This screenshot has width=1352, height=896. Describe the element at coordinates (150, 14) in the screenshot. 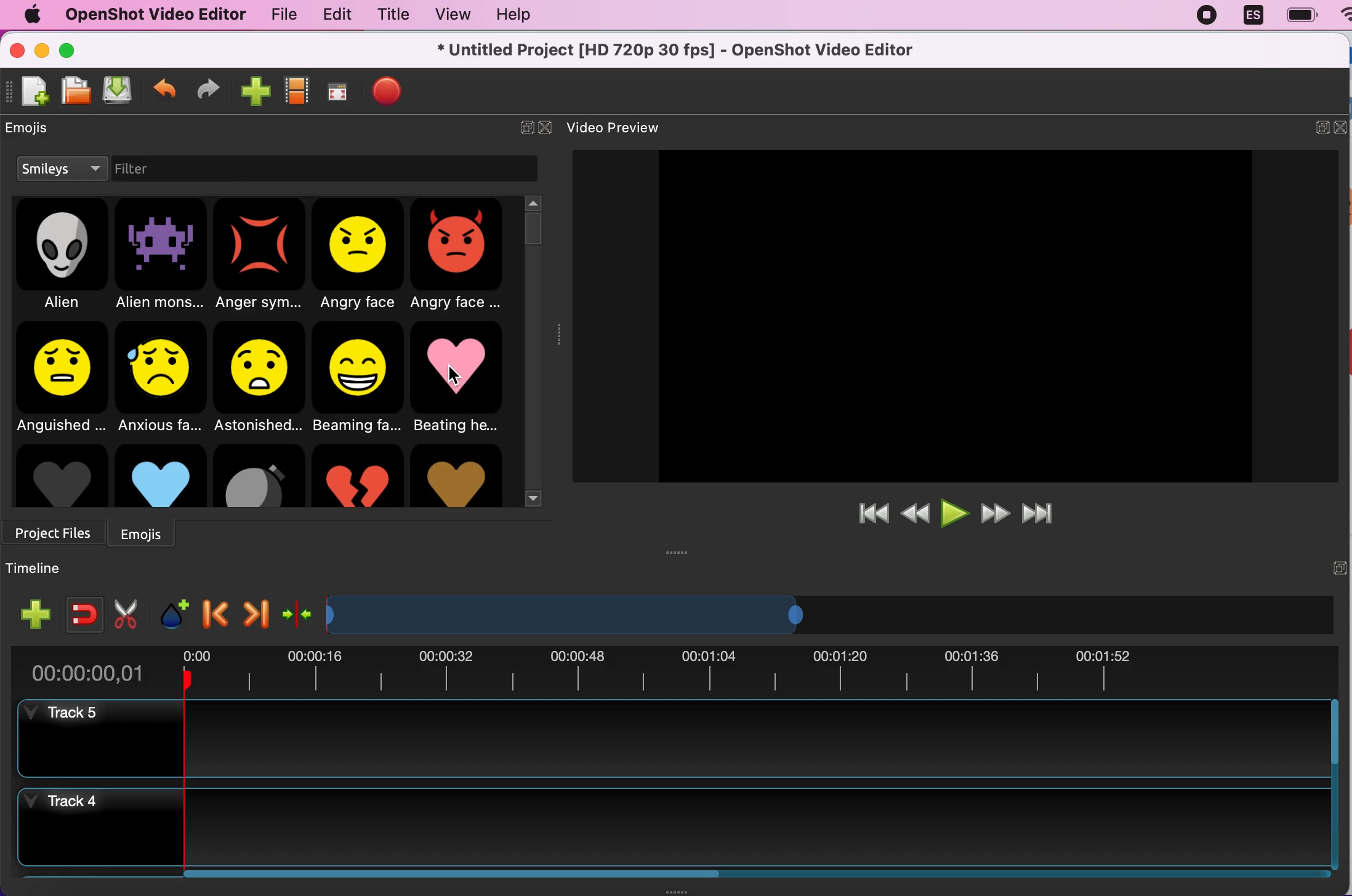

I see `openshot video editor` at that location.